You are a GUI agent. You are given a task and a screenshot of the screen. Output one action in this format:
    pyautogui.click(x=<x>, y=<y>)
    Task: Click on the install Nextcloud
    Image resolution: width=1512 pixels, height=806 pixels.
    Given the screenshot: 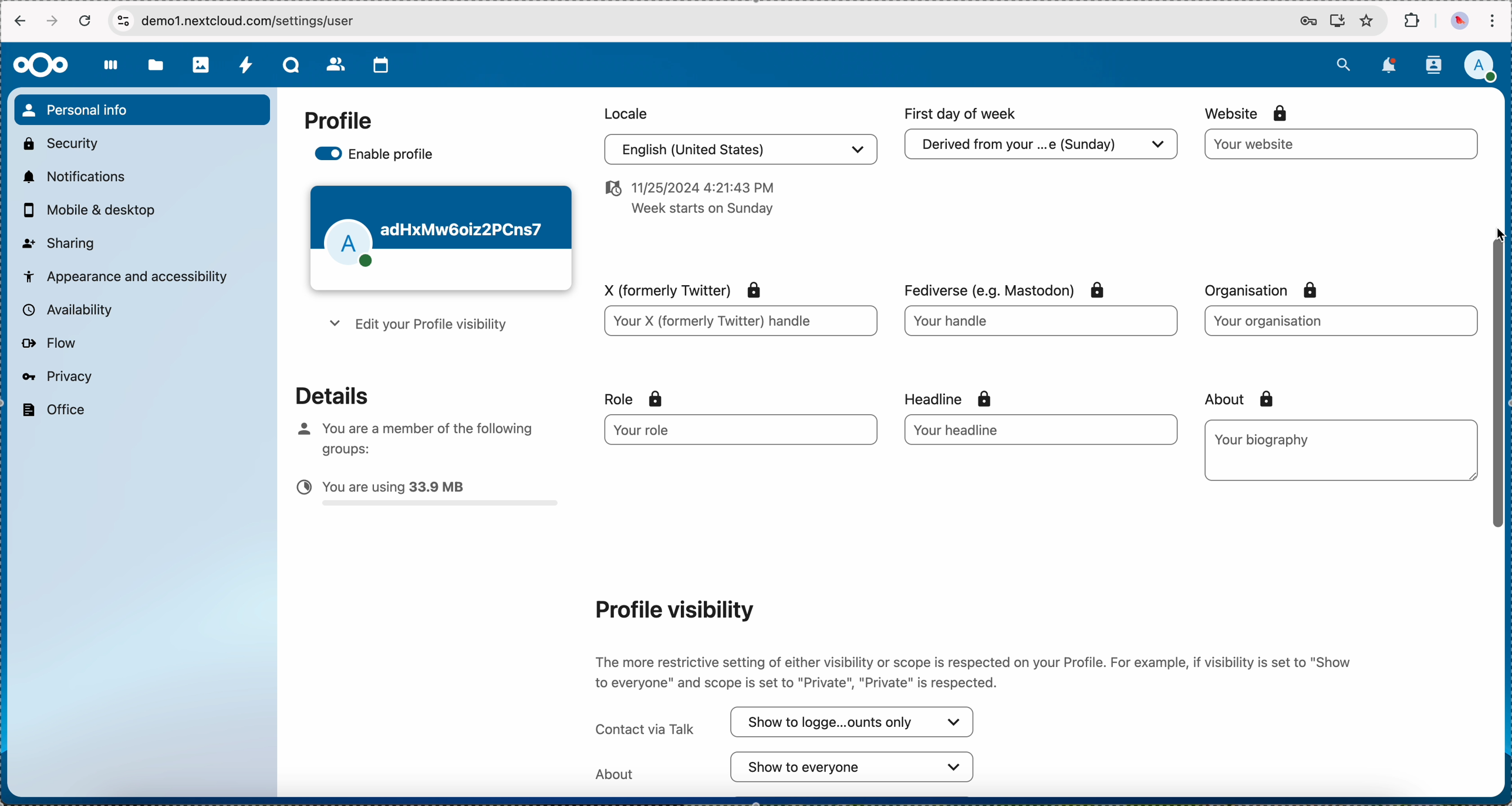 What is the action you would take?
    pyautogui.click(x=1338, y=22)
    